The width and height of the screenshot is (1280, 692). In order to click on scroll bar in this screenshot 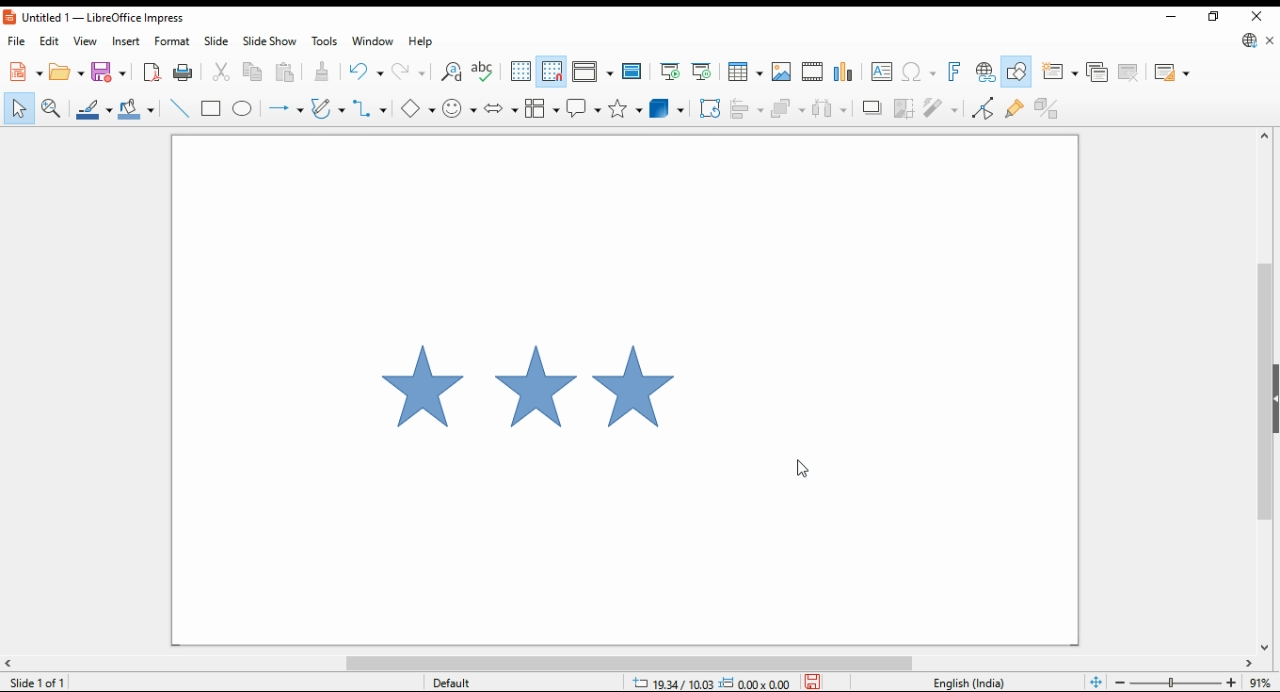, I will do `click(1264, 389)`.